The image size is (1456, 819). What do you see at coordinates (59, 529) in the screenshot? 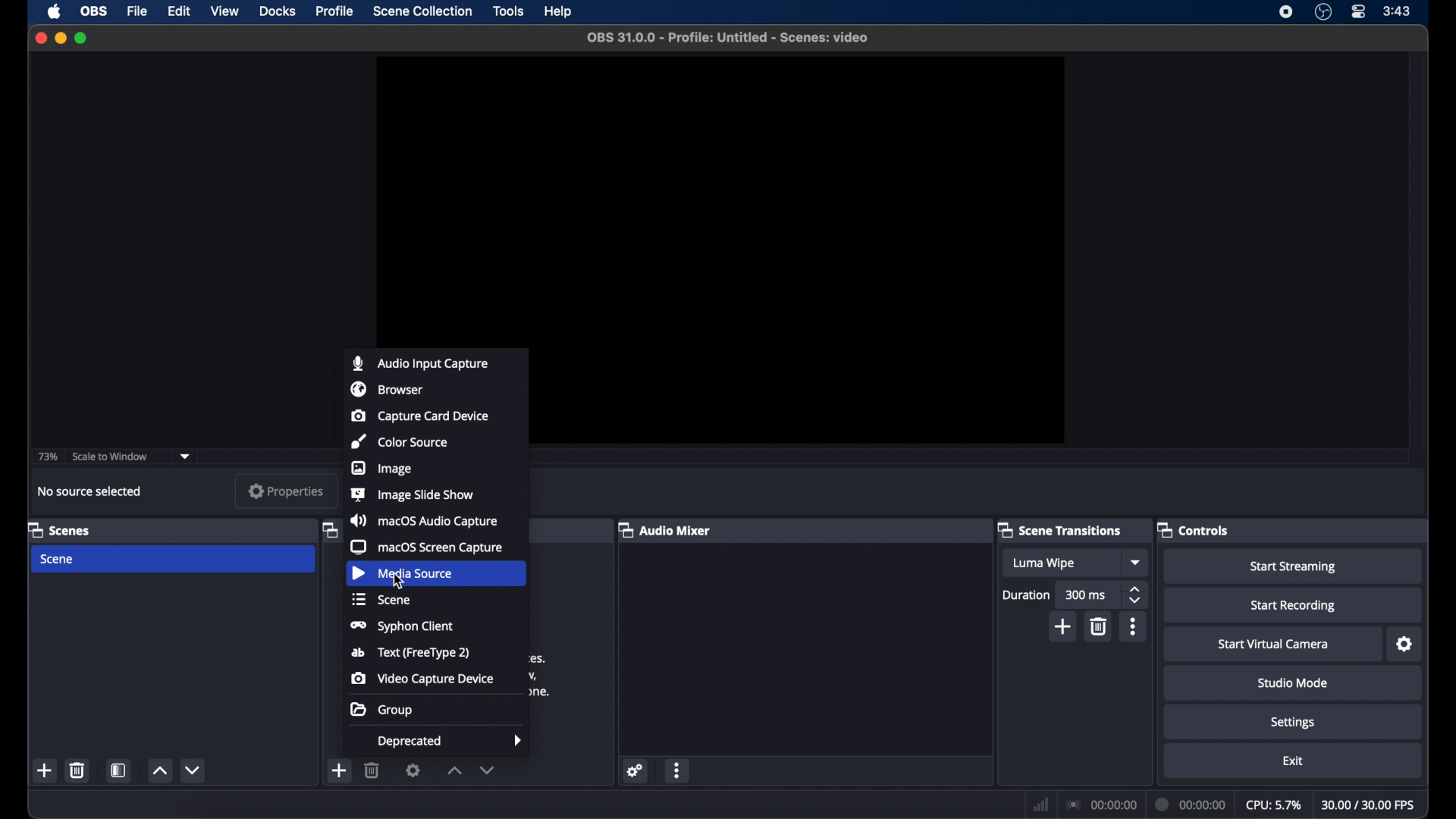
I see `scenes` at bounding box center [59, 529].